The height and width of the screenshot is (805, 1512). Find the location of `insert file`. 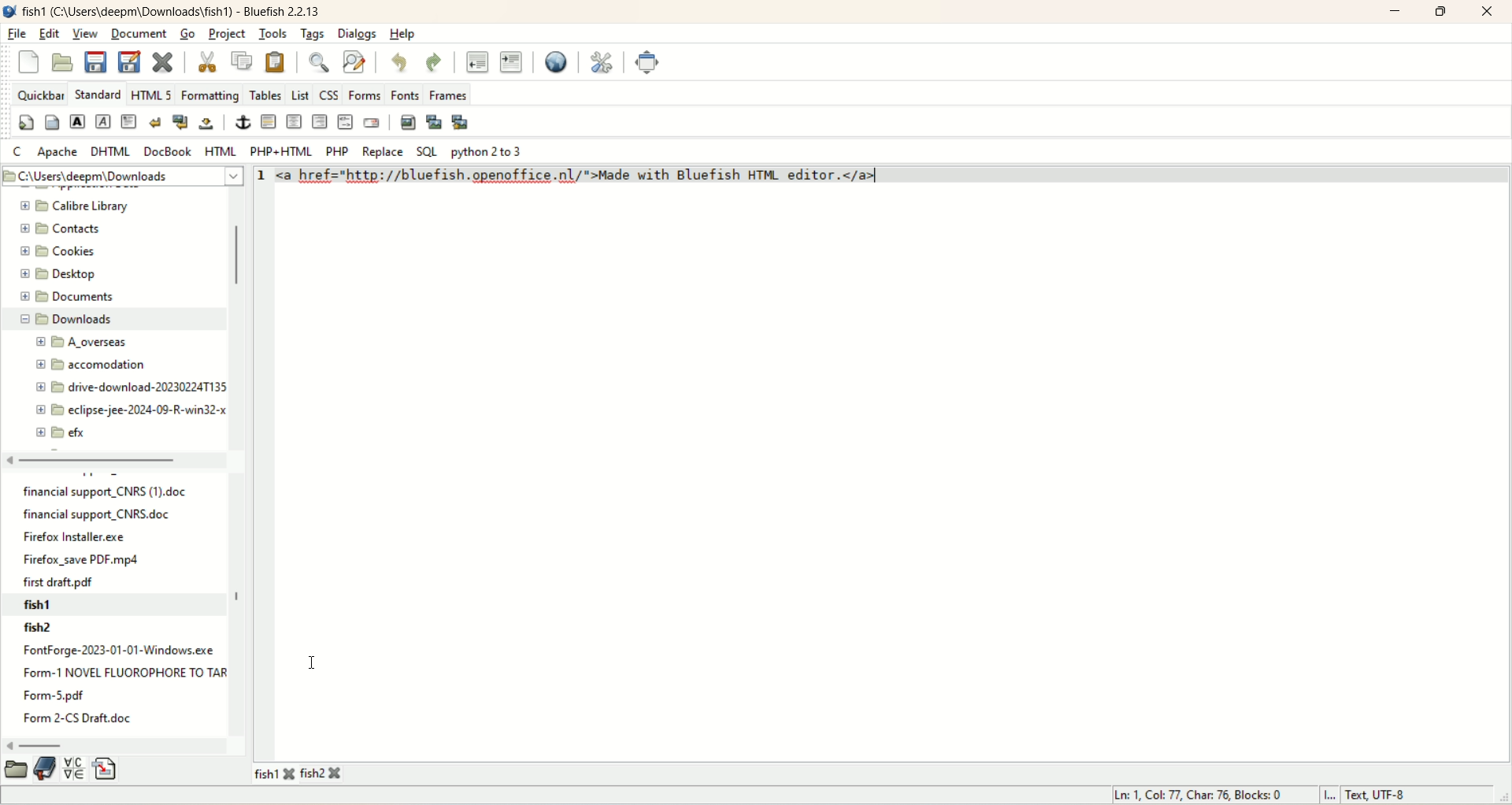

insert file is located at coordinates (107, 770).